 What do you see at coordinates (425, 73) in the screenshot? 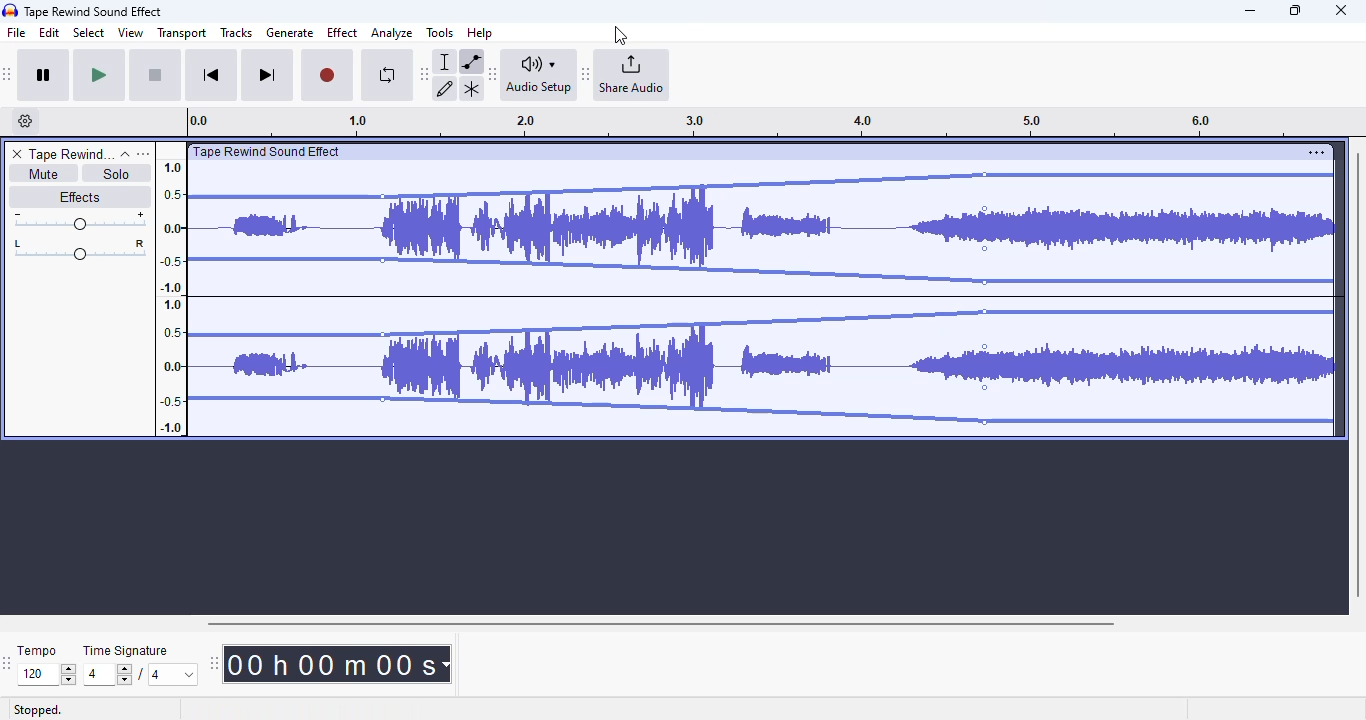
I see `Move audacity tools toolbar` at bounding box center [425, 73].